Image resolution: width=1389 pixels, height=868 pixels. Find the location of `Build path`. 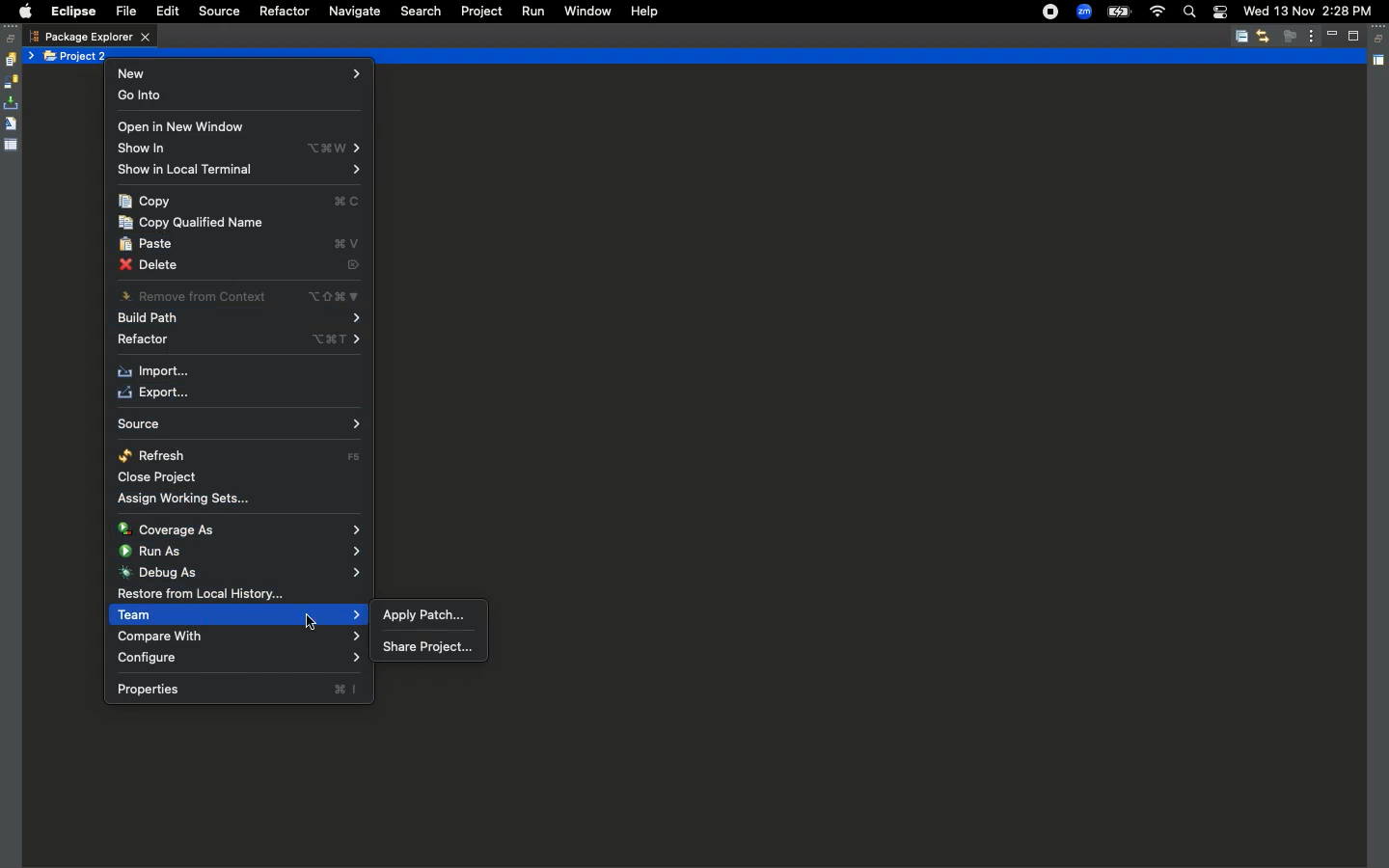

Build path is located at coordinates (238, 320).